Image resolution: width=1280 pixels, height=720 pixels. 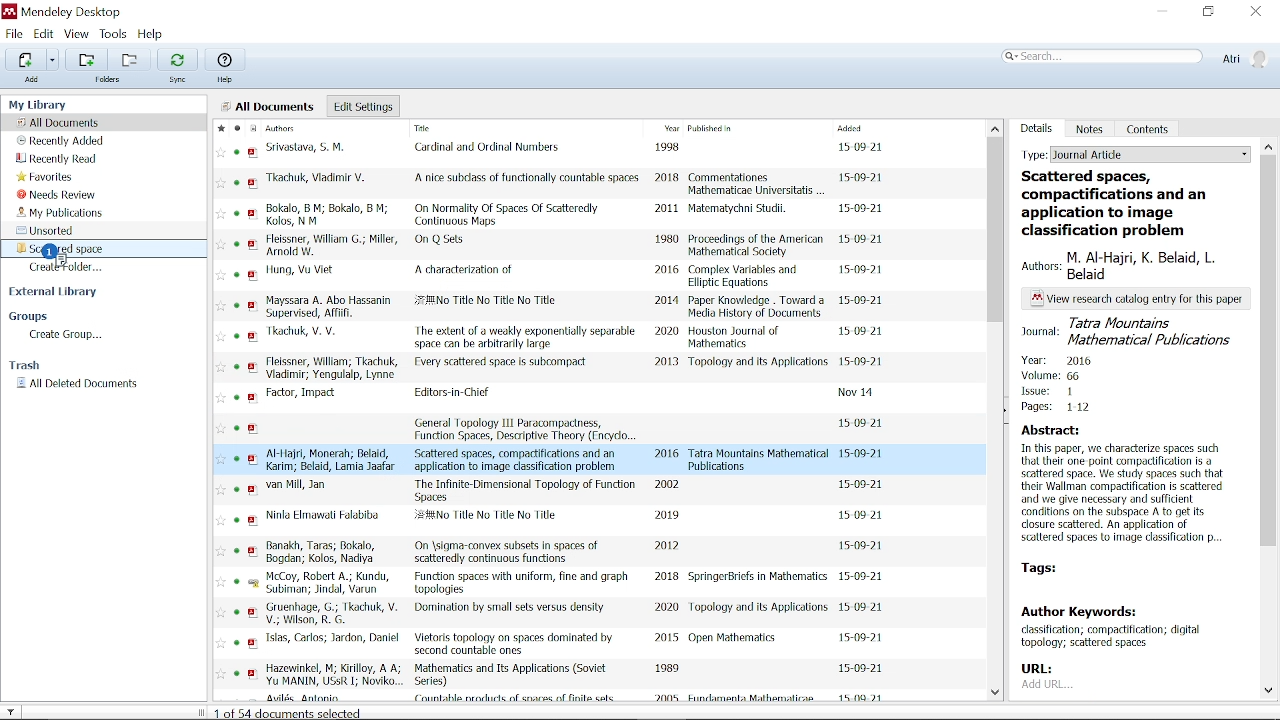 What do you see at coordinates (860, 147) in the screenshot?
I see `date` at bounding box center [860, 147].